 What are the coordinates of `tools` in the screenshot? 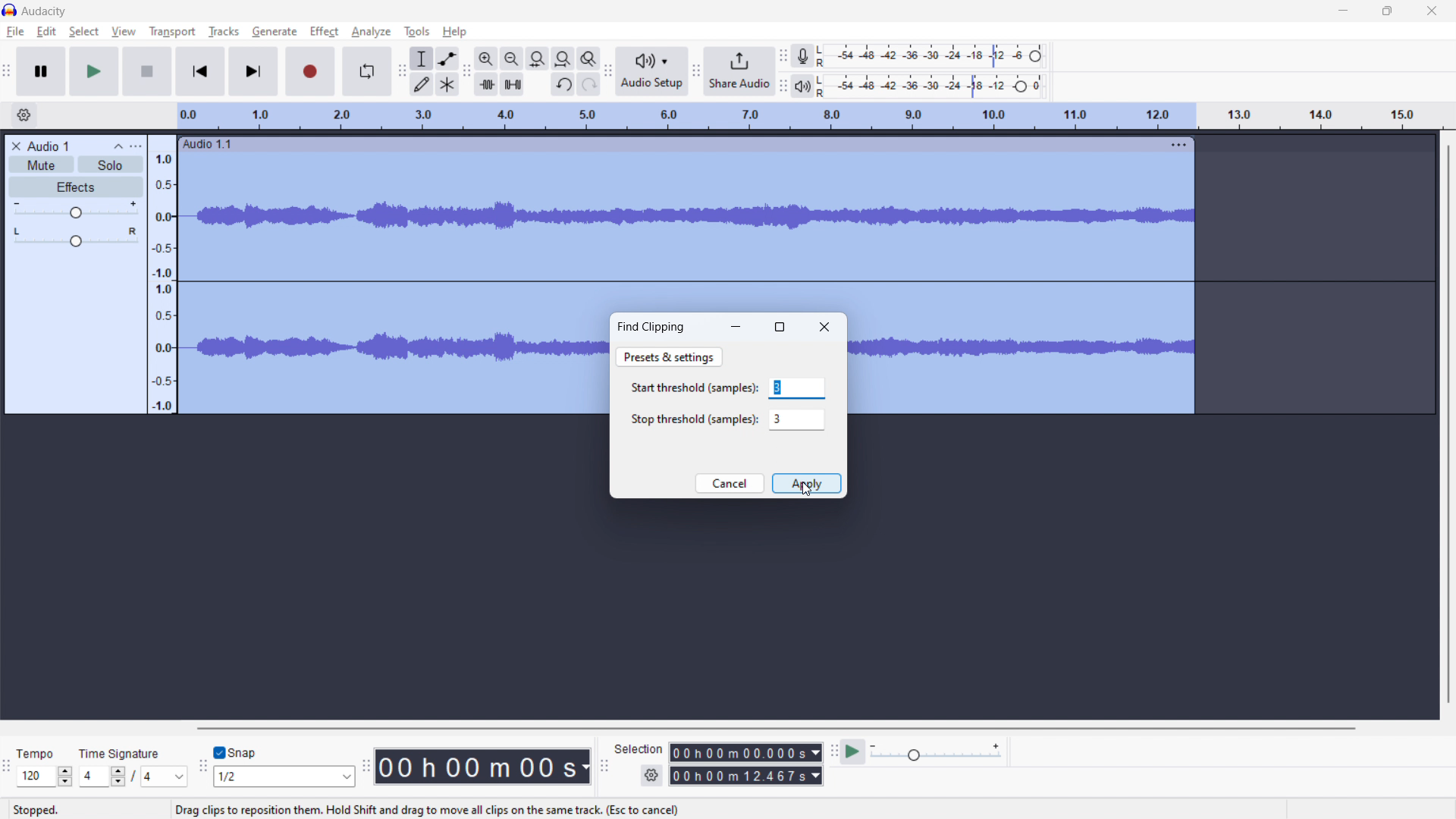 It's located at (416, 31).